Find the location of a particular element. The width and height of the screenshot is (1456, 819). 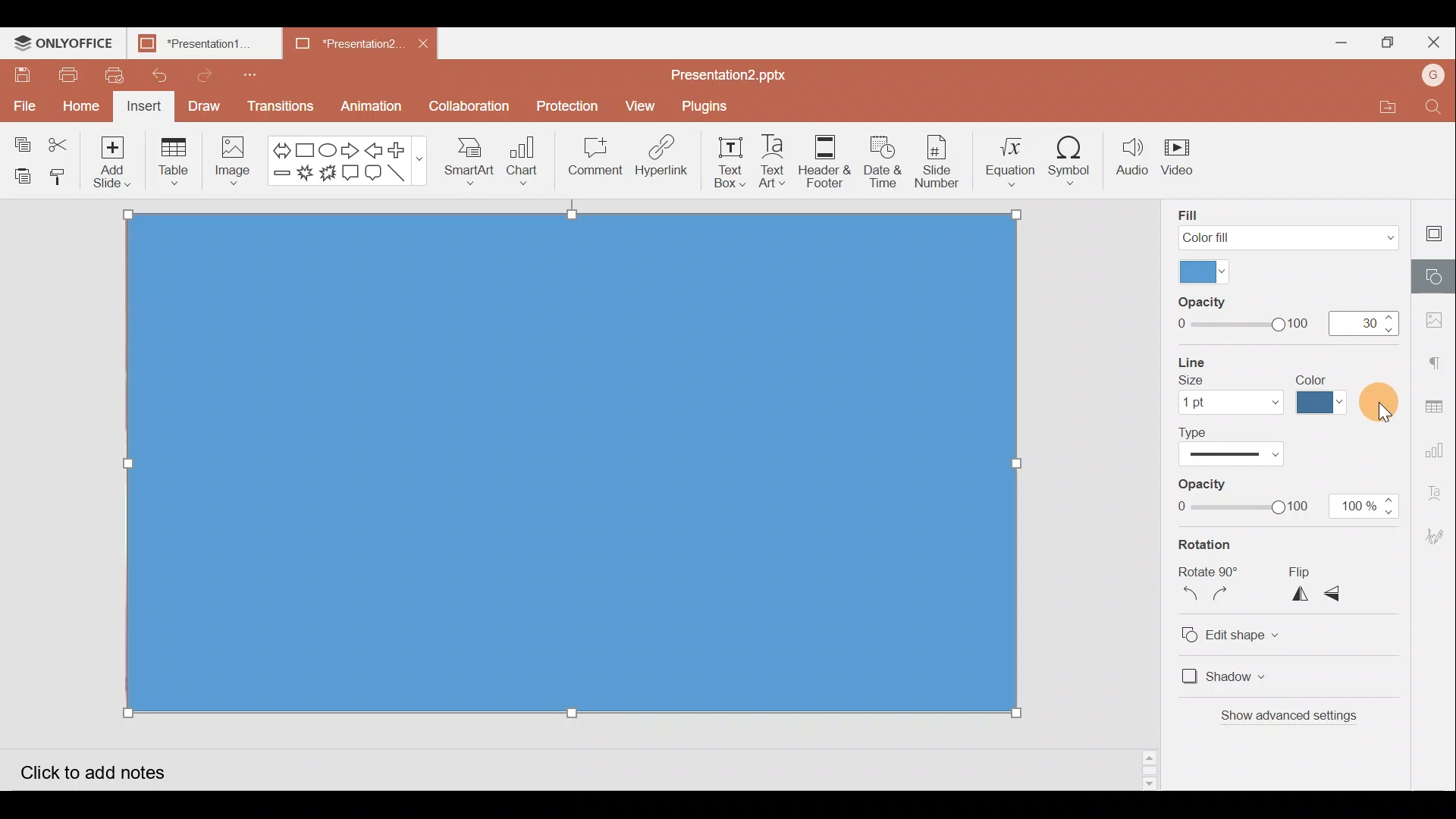

Chart is located at coordinates (520, 164).